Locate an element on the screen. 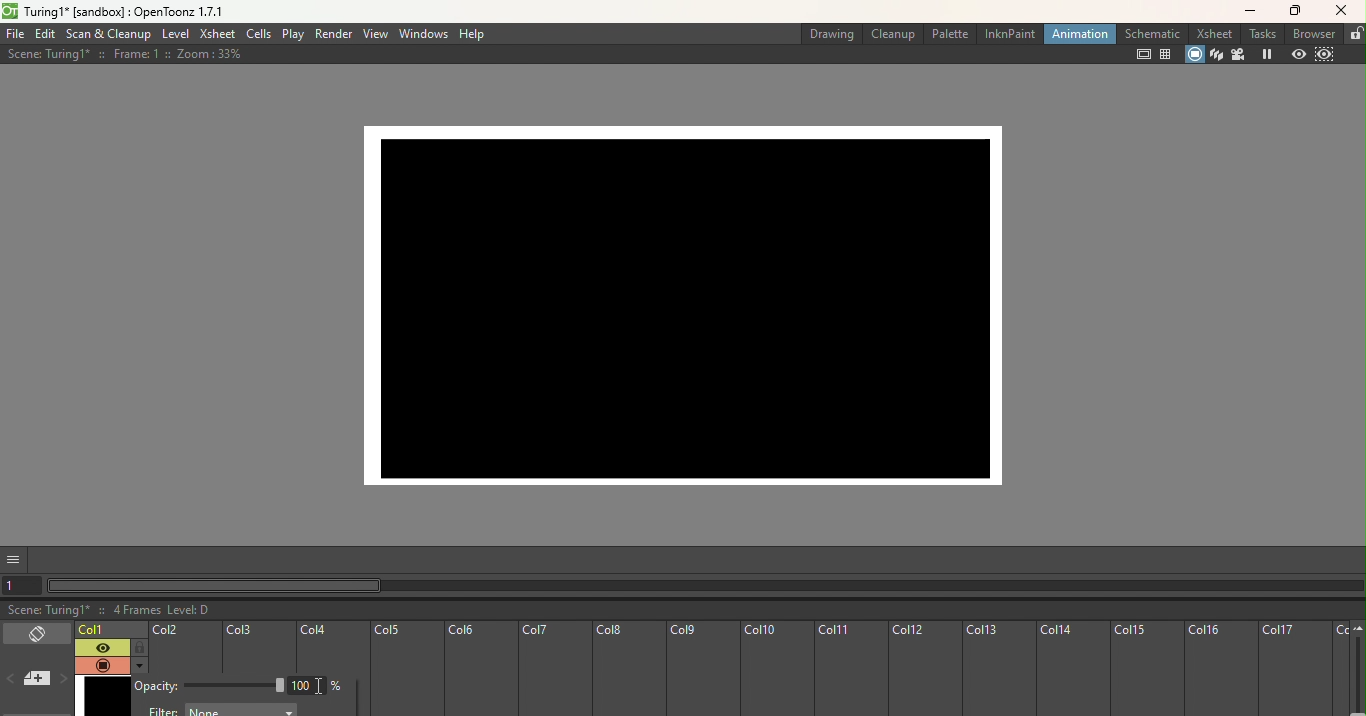 The height and width of the screenshot is (716, 1366). zoom in/out of timeline is located at coordinates (1357, 676).